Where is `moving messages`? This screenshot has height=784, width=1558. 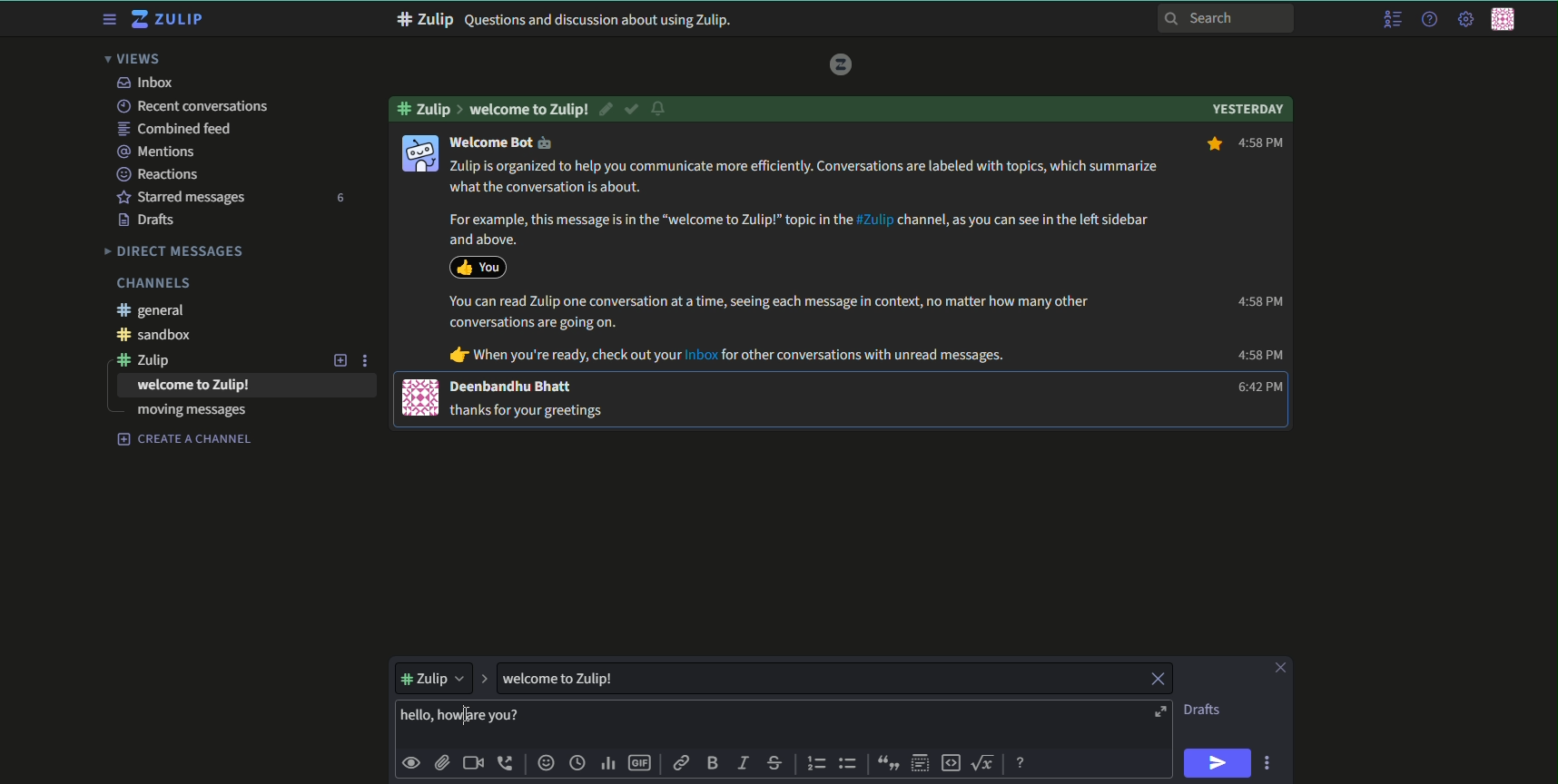
moving messages is located at coordinates (192, 412).